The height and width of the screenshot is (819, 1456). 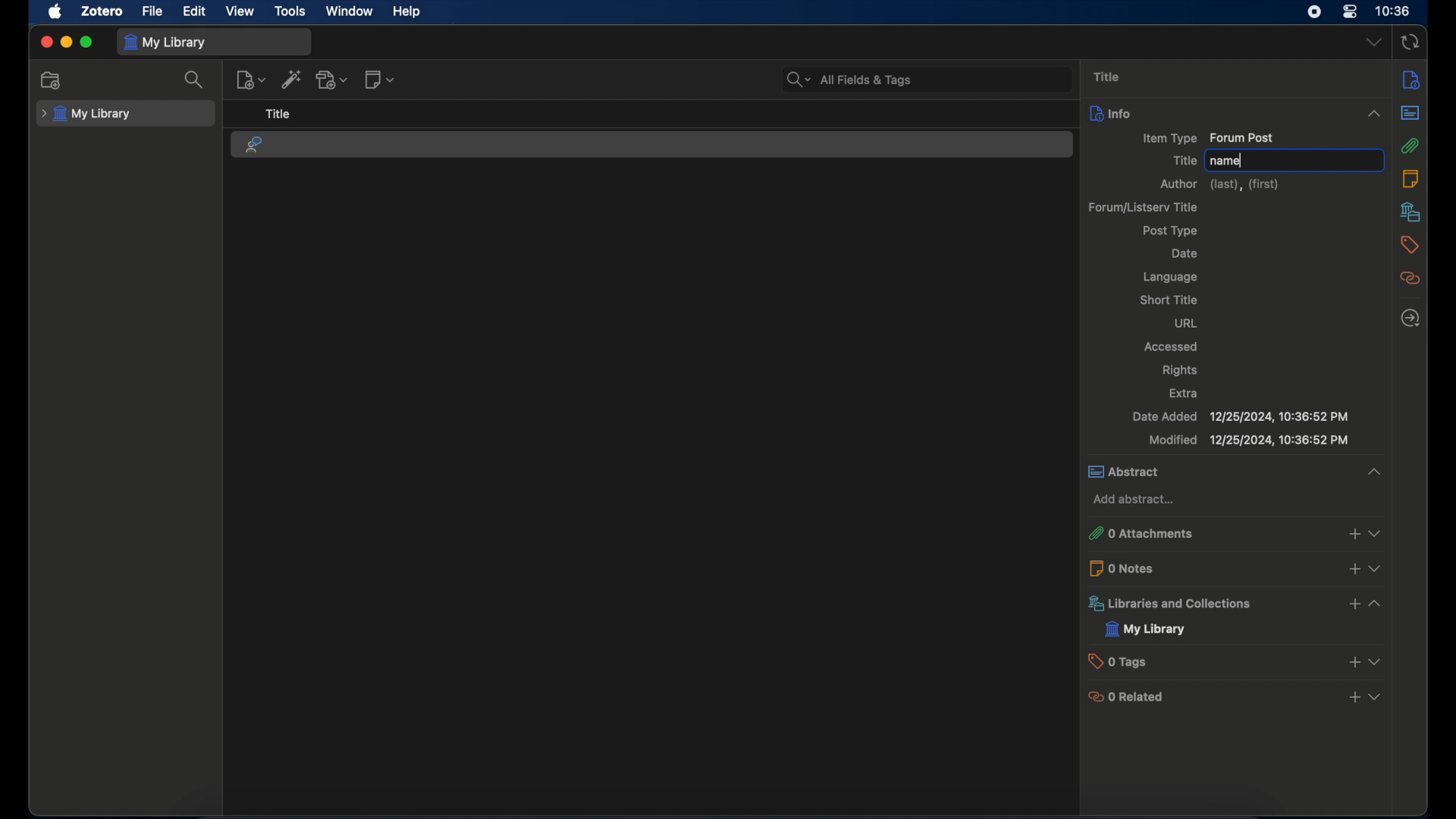 What do you see at coordinates (278, 113) in the screenshot?
I see `title` at bounding box center [278, 113].